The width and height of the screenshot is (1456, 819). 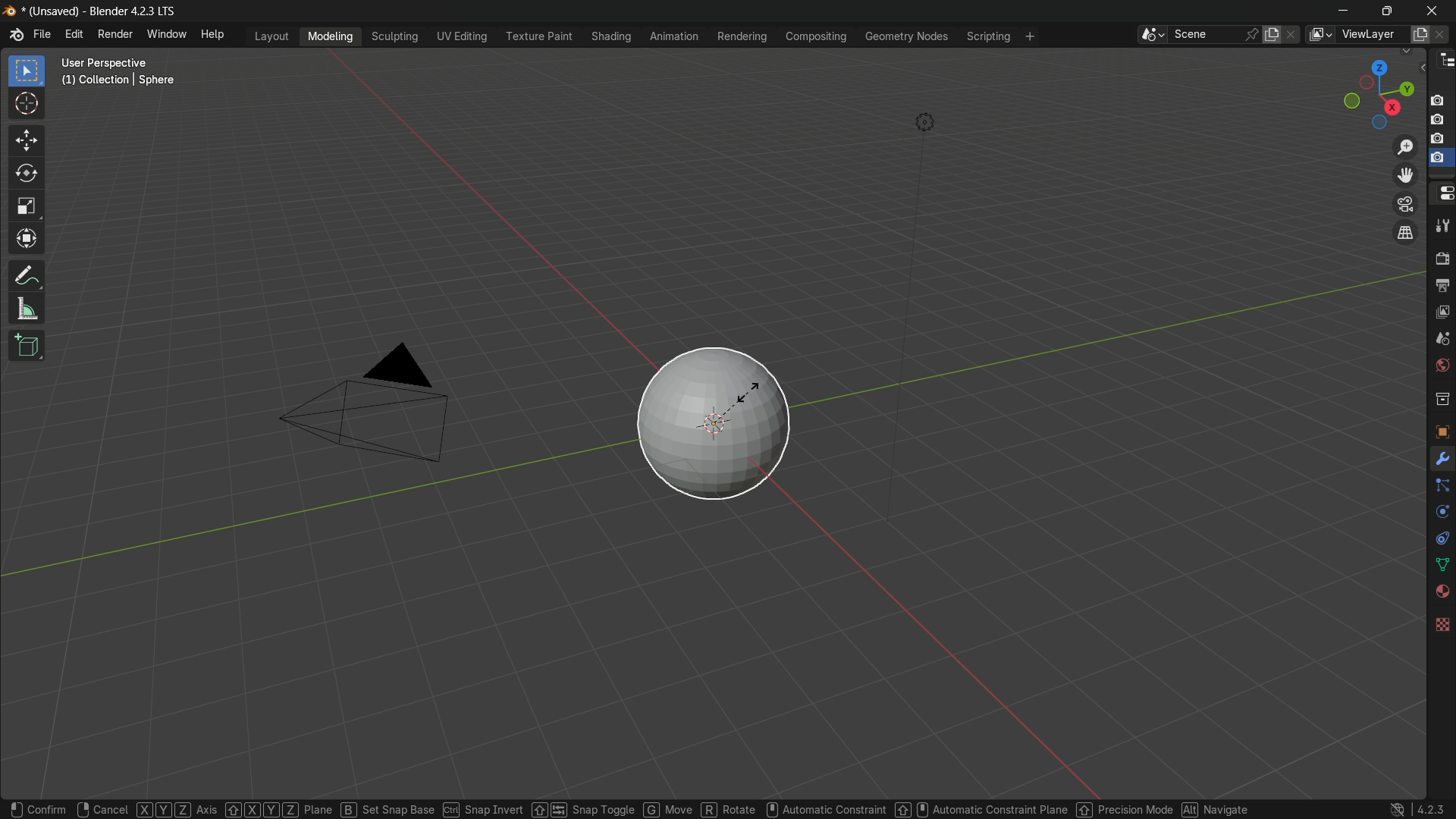 I want to click on remove layer, so click(x=1443, y=34).